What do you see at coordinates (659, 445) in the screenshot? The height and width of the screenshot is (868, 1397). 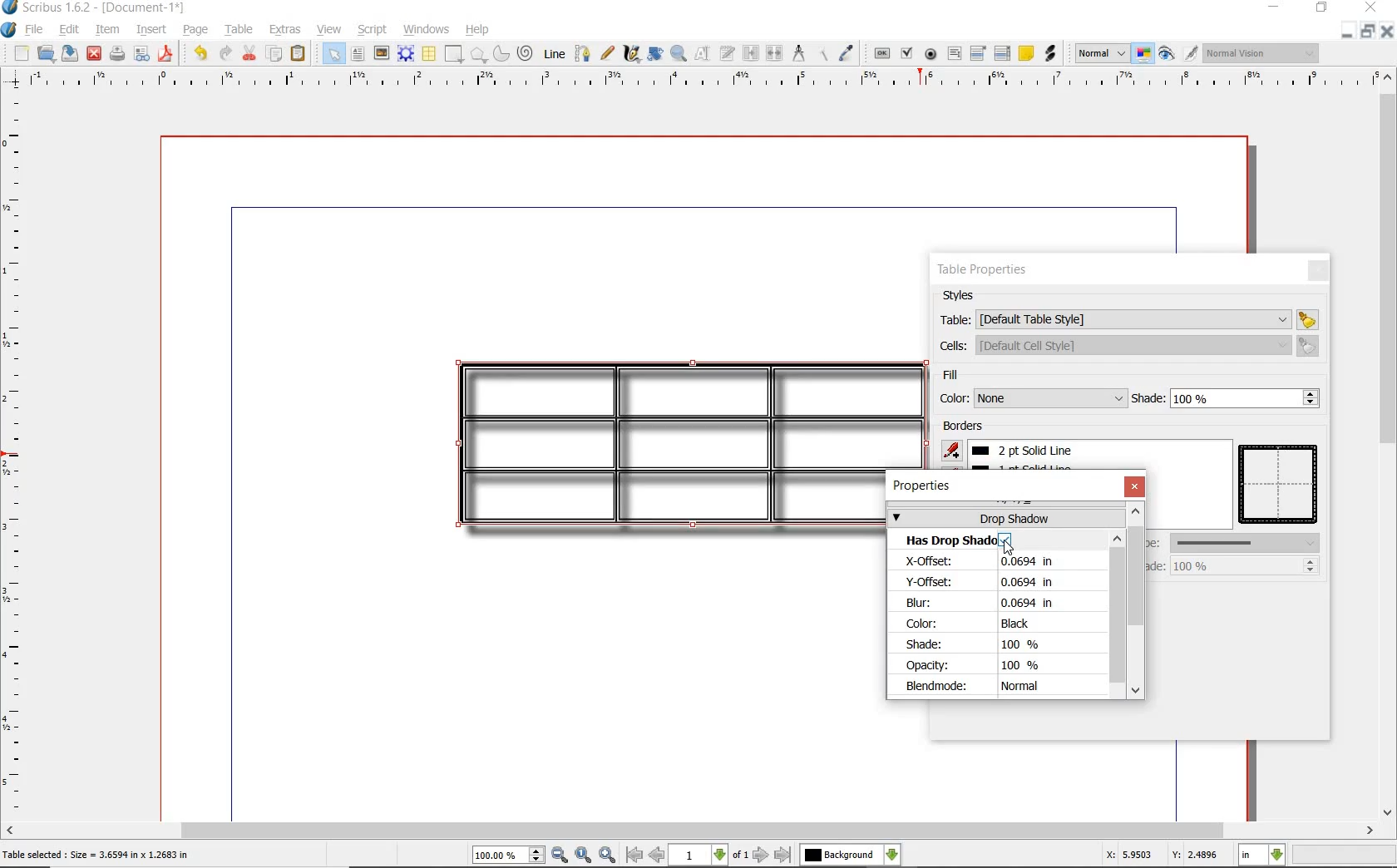 I see `shadow effect added` at bounding box center [659, 445].